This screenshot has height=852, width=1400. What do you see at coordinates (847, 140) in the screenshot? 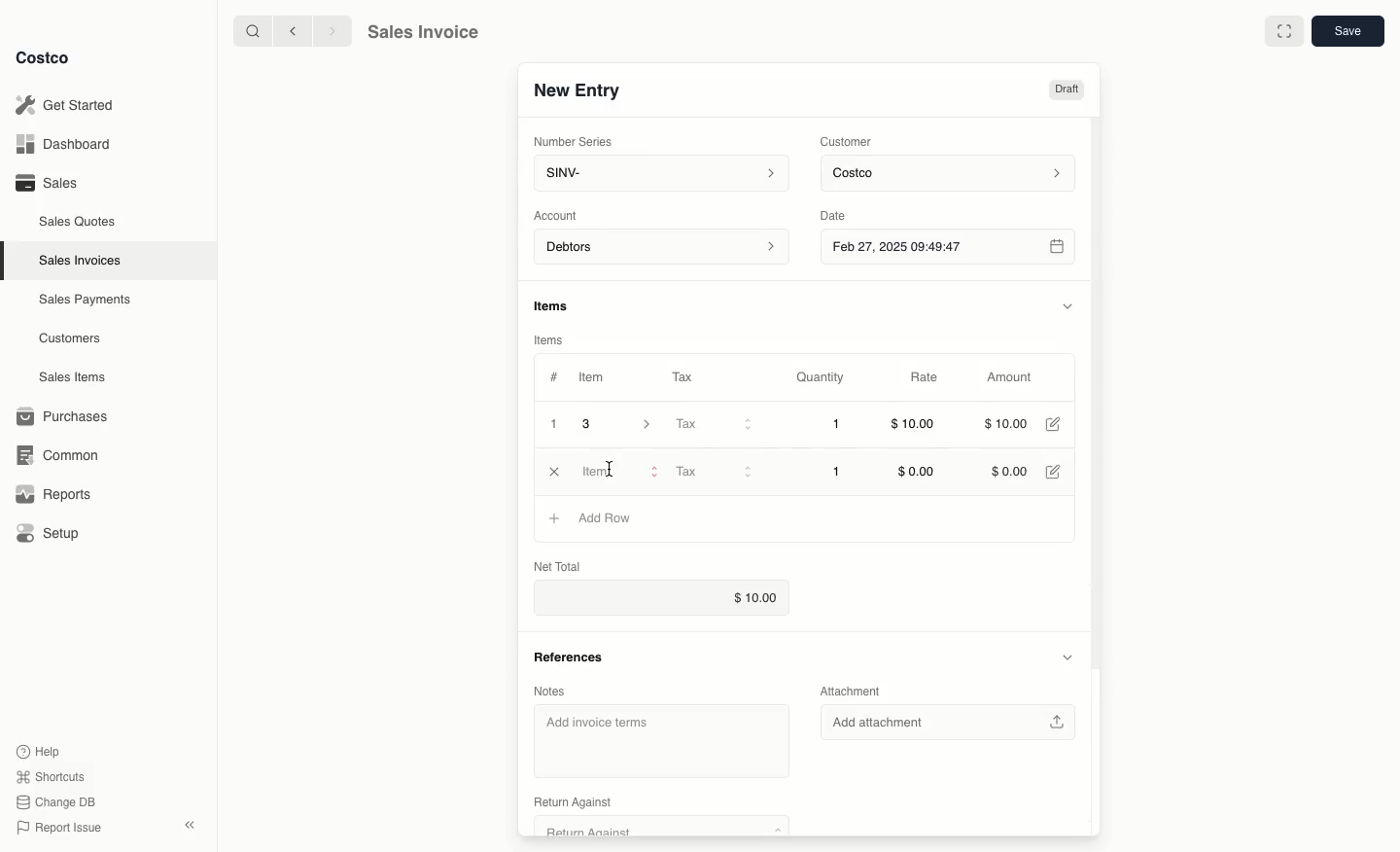
I see `Customer` at bounding box center [847, 140].